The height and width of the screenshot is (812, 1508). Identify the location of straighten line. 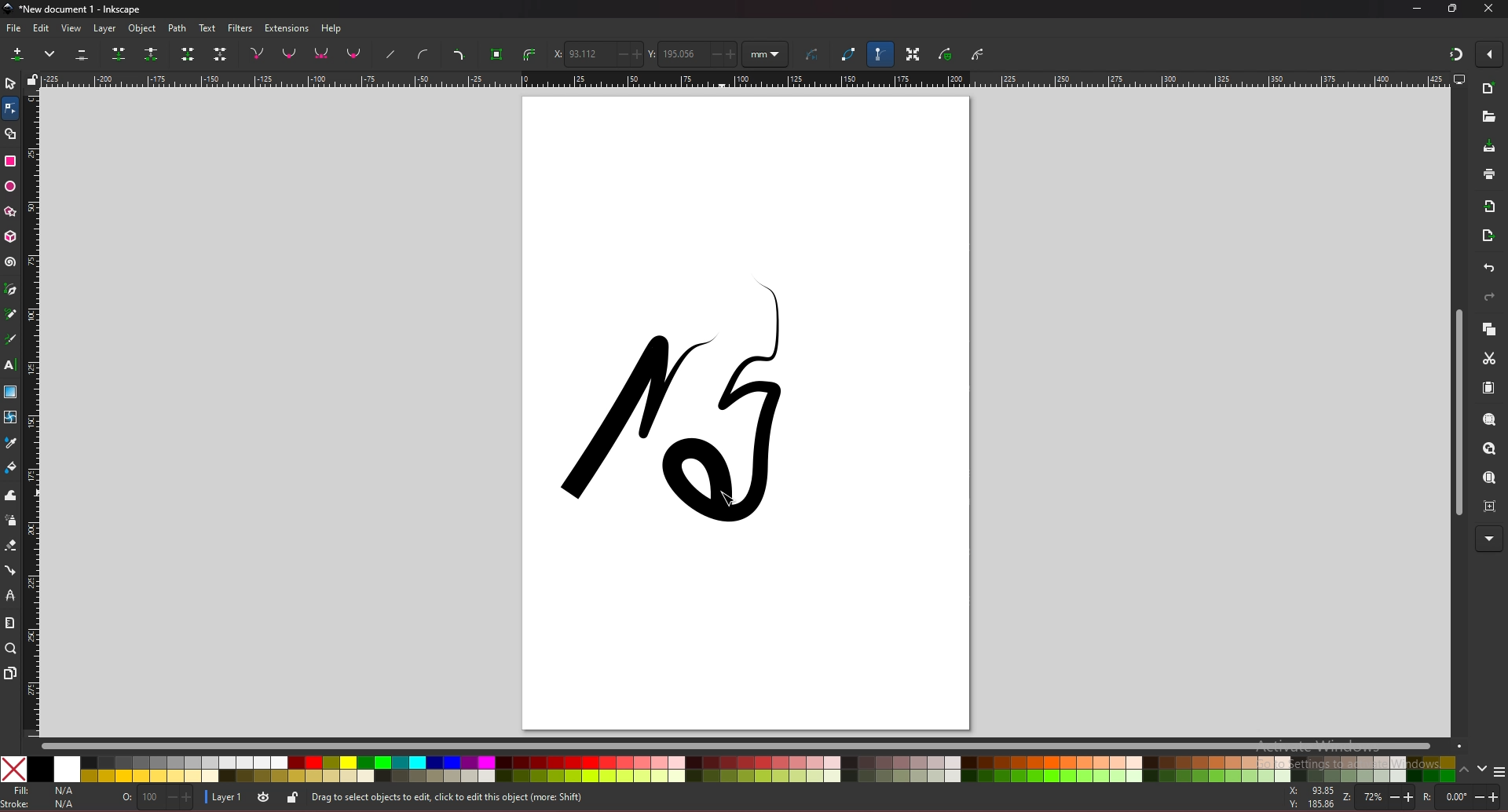
(390, 55).